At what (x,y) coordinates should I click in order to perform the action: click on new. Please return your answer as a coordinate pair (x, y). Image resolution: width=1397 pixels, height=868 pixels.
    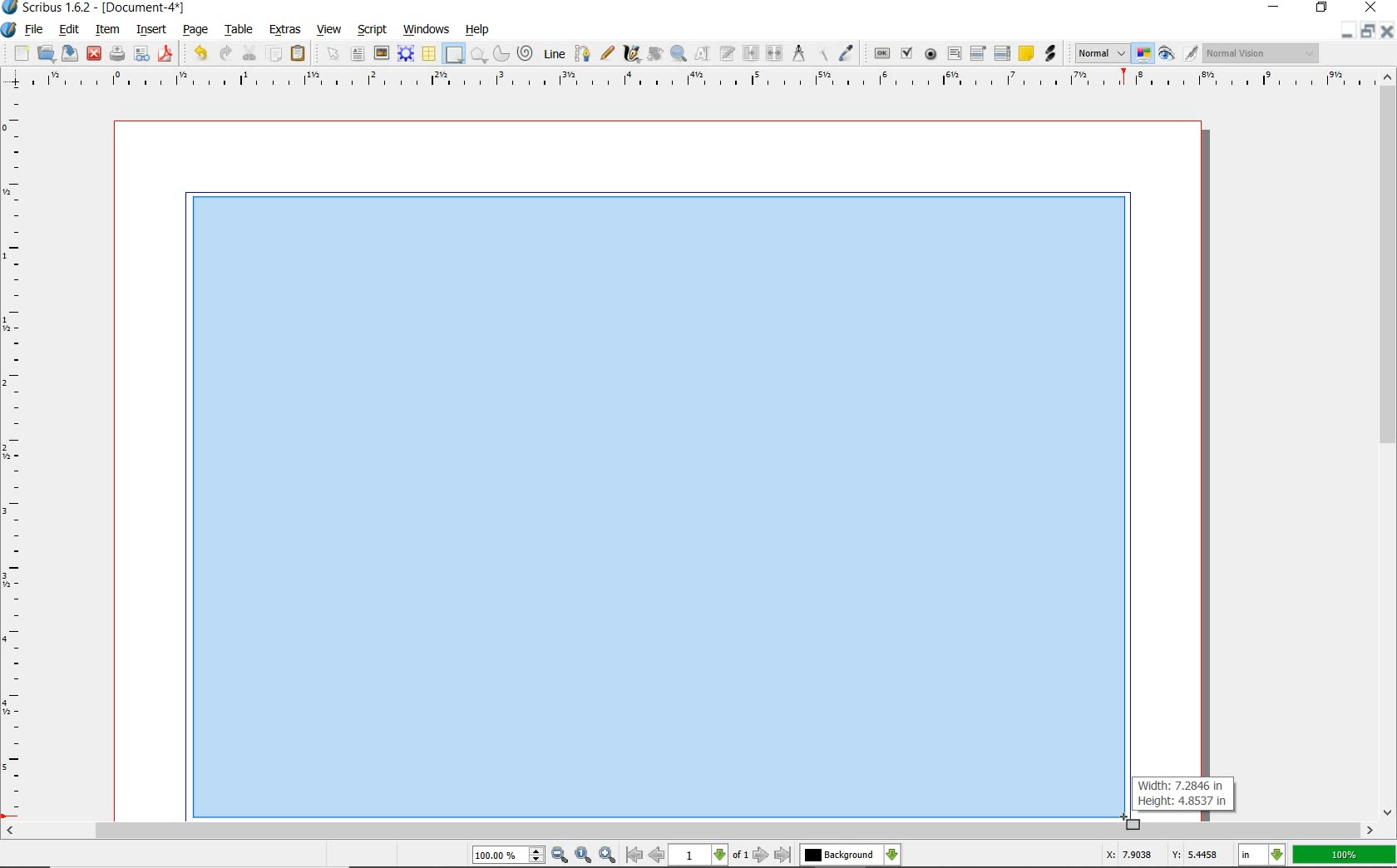
    Looking at the image, I should click on (16, 53).